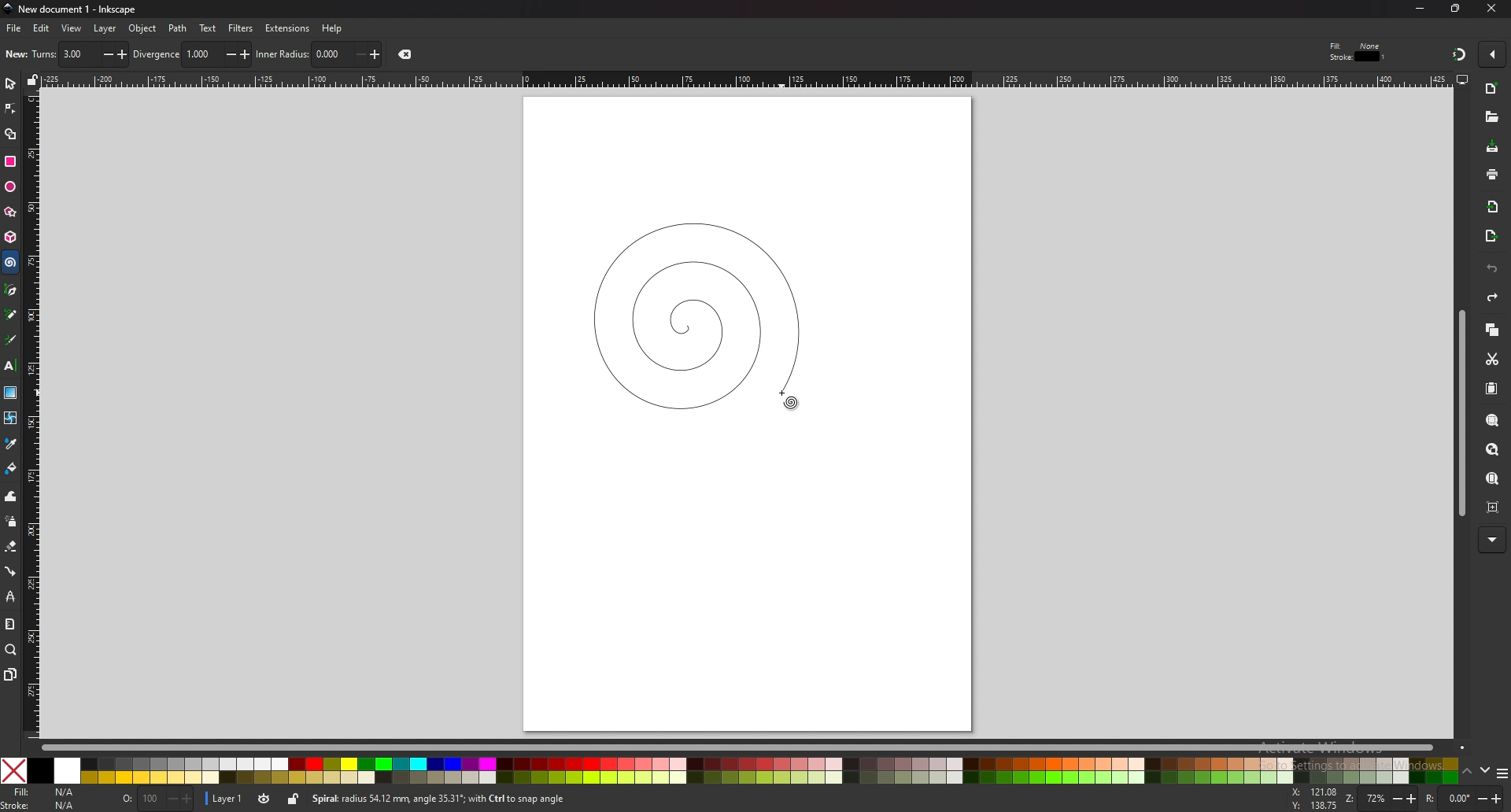  Describe the element at coordinates (242, 28) in the screenshot. I see `filters` at that location.